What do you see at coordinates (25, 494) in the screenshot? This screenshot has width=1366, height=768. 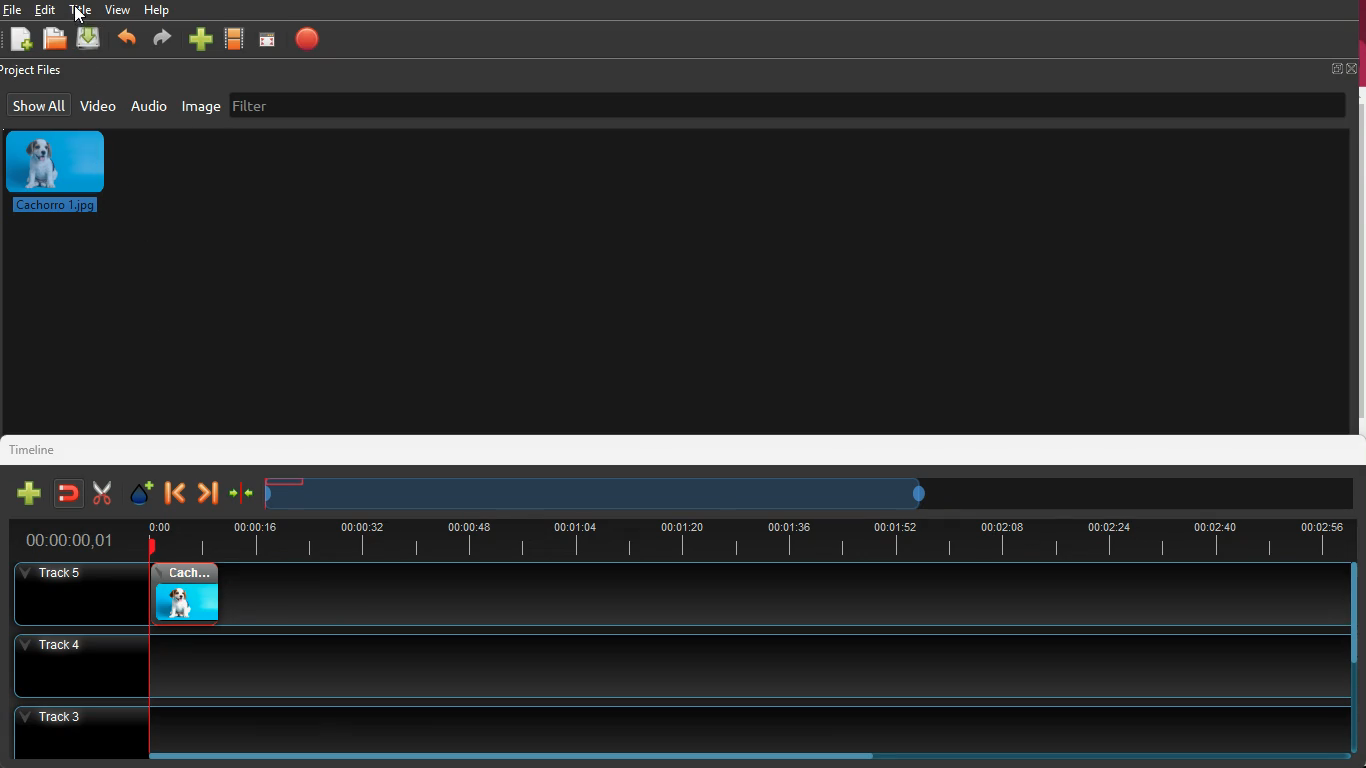 I see `add` at bounding box center [25, 494].